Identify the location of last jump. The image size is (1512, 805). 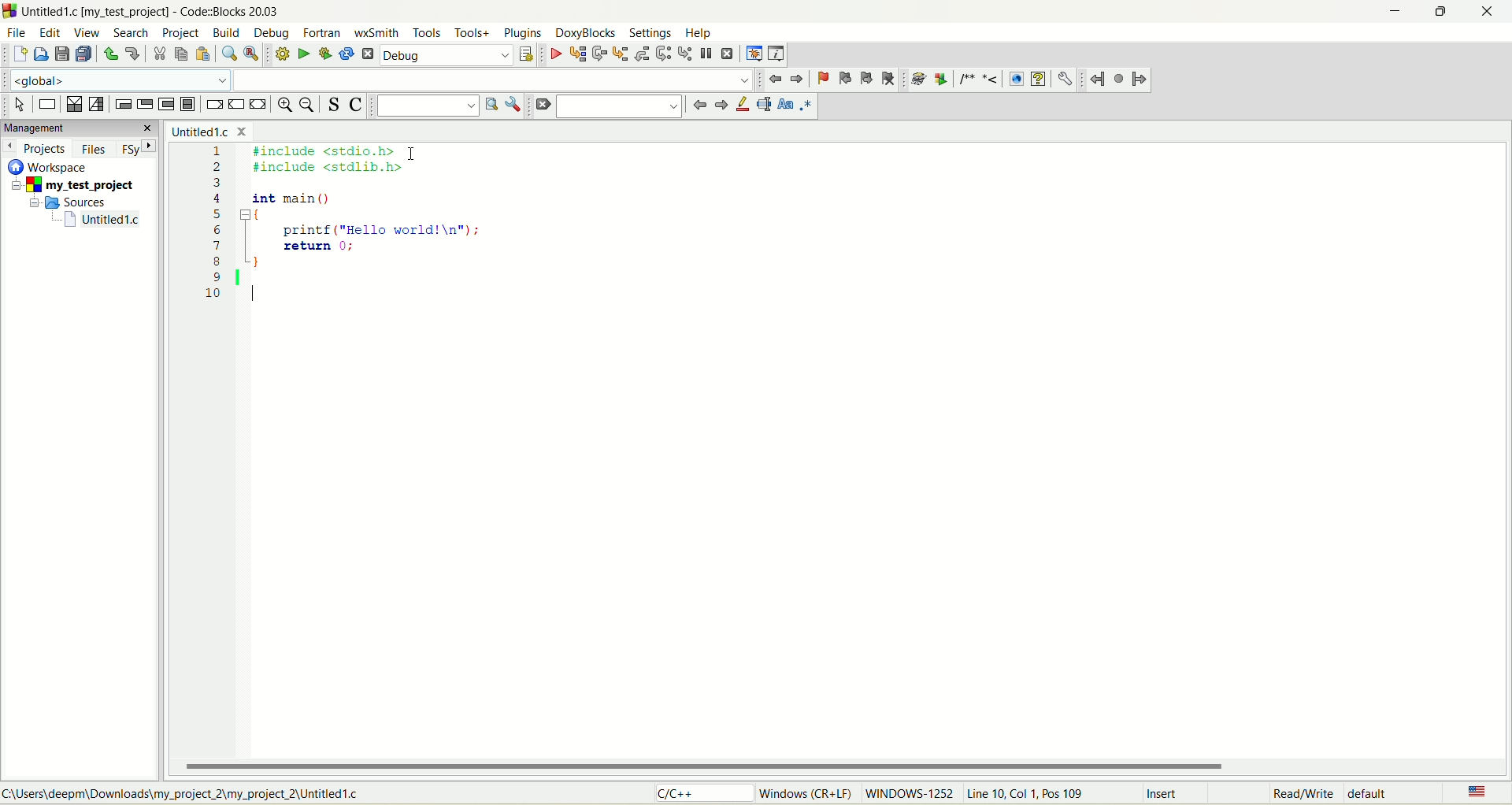
(1119, 80).